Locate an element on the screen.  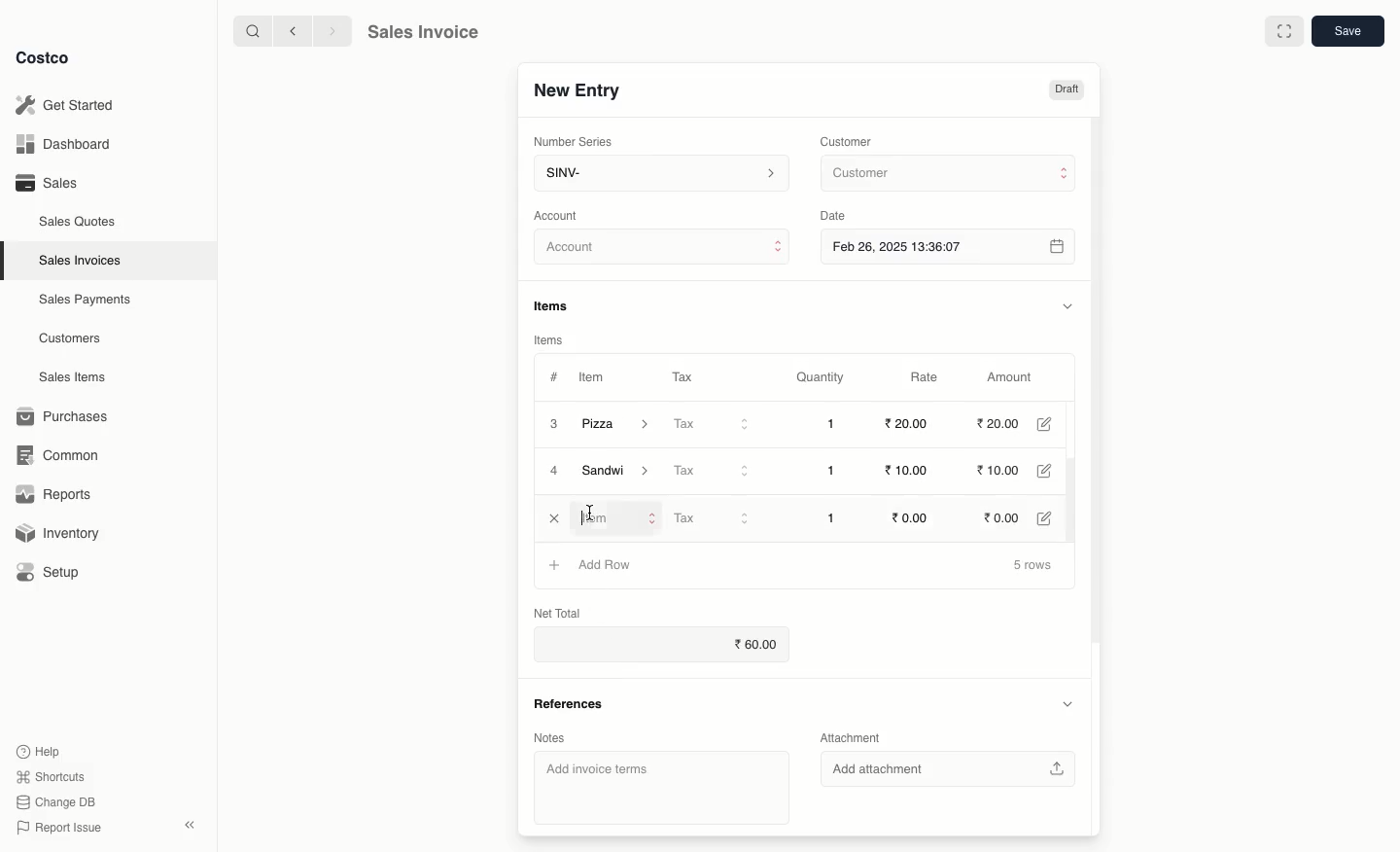
Date is located at coordinates (838, 216).